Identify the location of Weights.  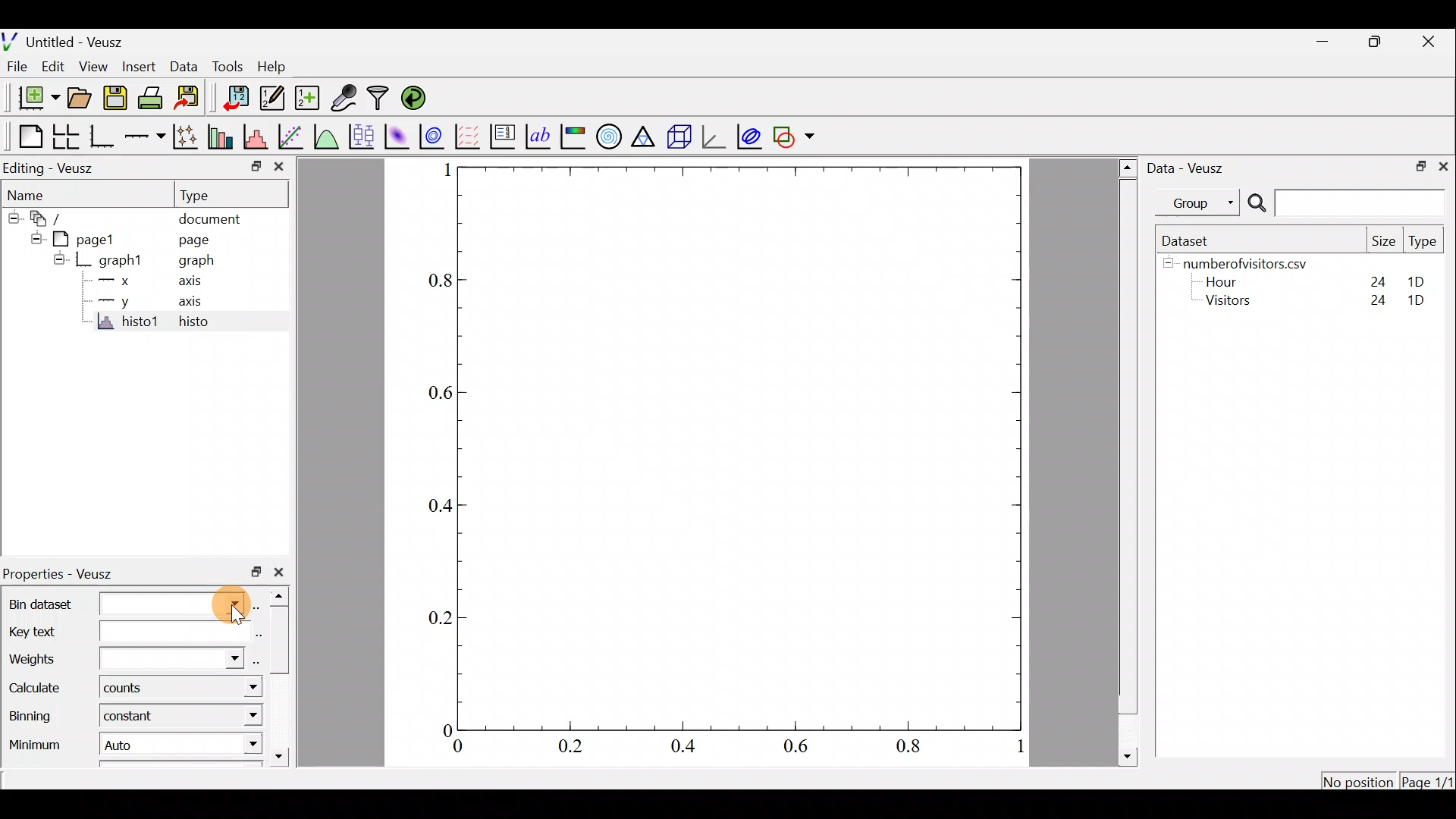
(124, 661).